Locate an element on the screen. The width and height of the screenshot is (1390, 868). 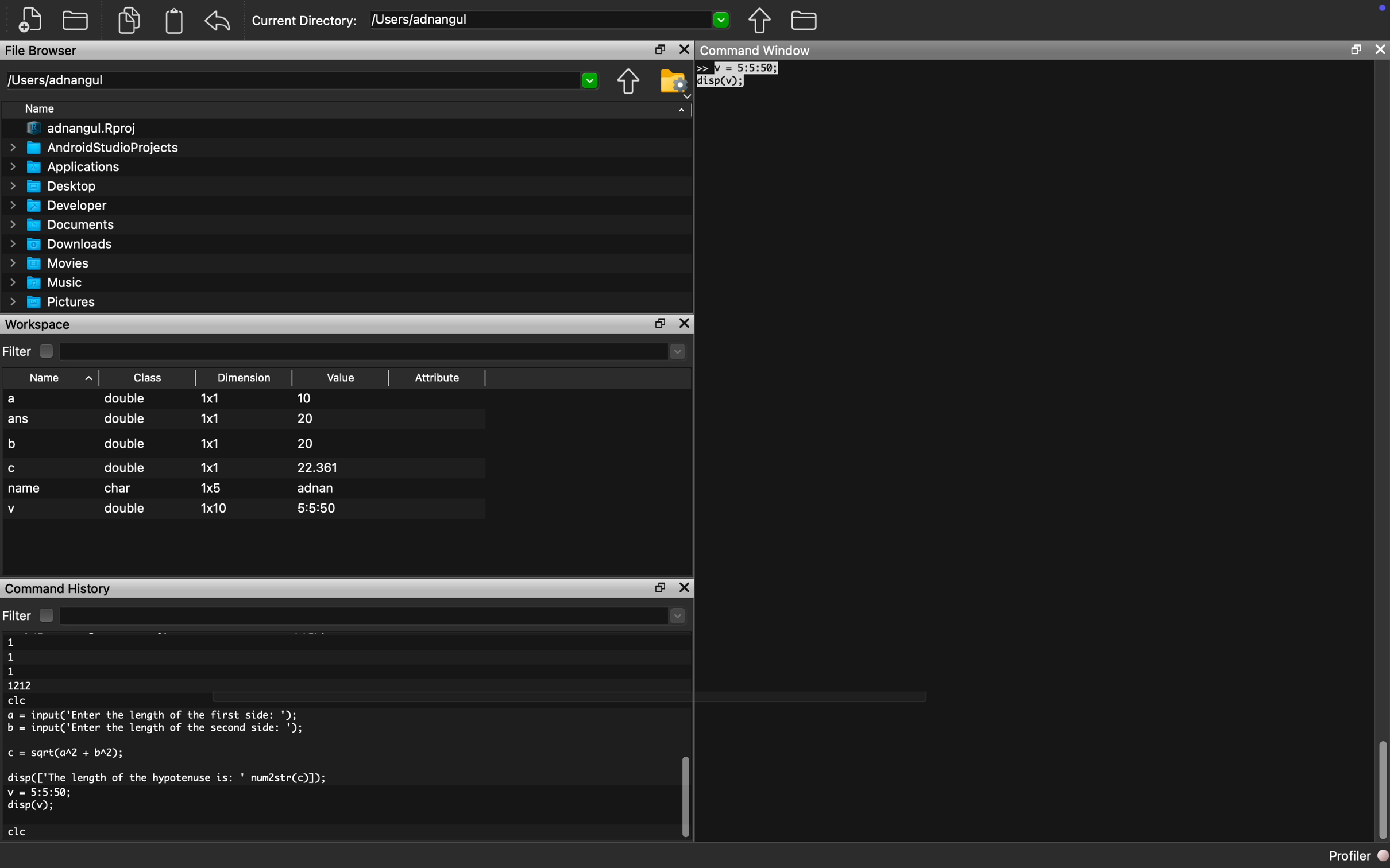
Music is located at coordinates (47, 282).